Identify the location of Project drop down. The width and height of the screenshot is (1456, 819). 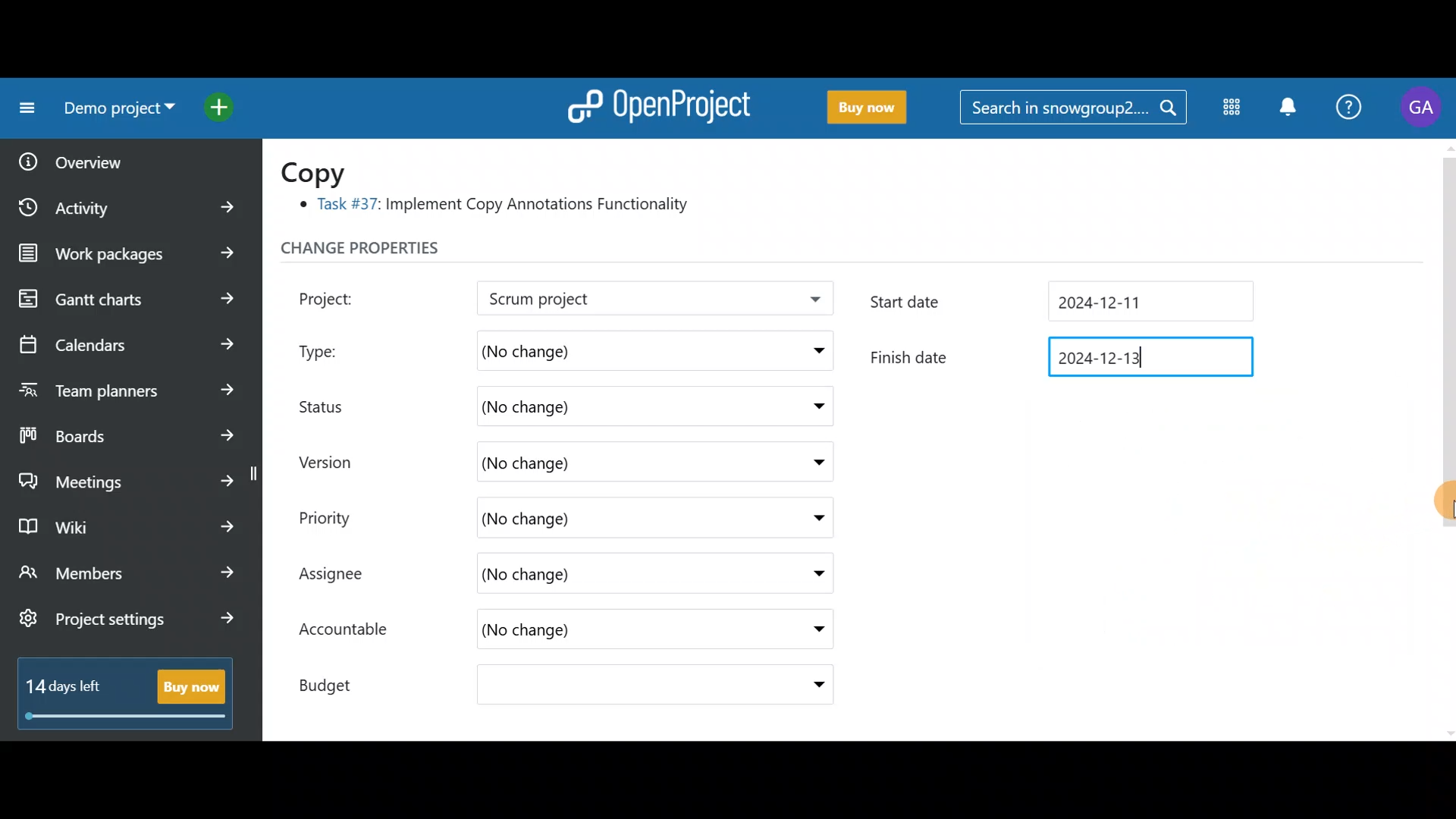
(810, 303).